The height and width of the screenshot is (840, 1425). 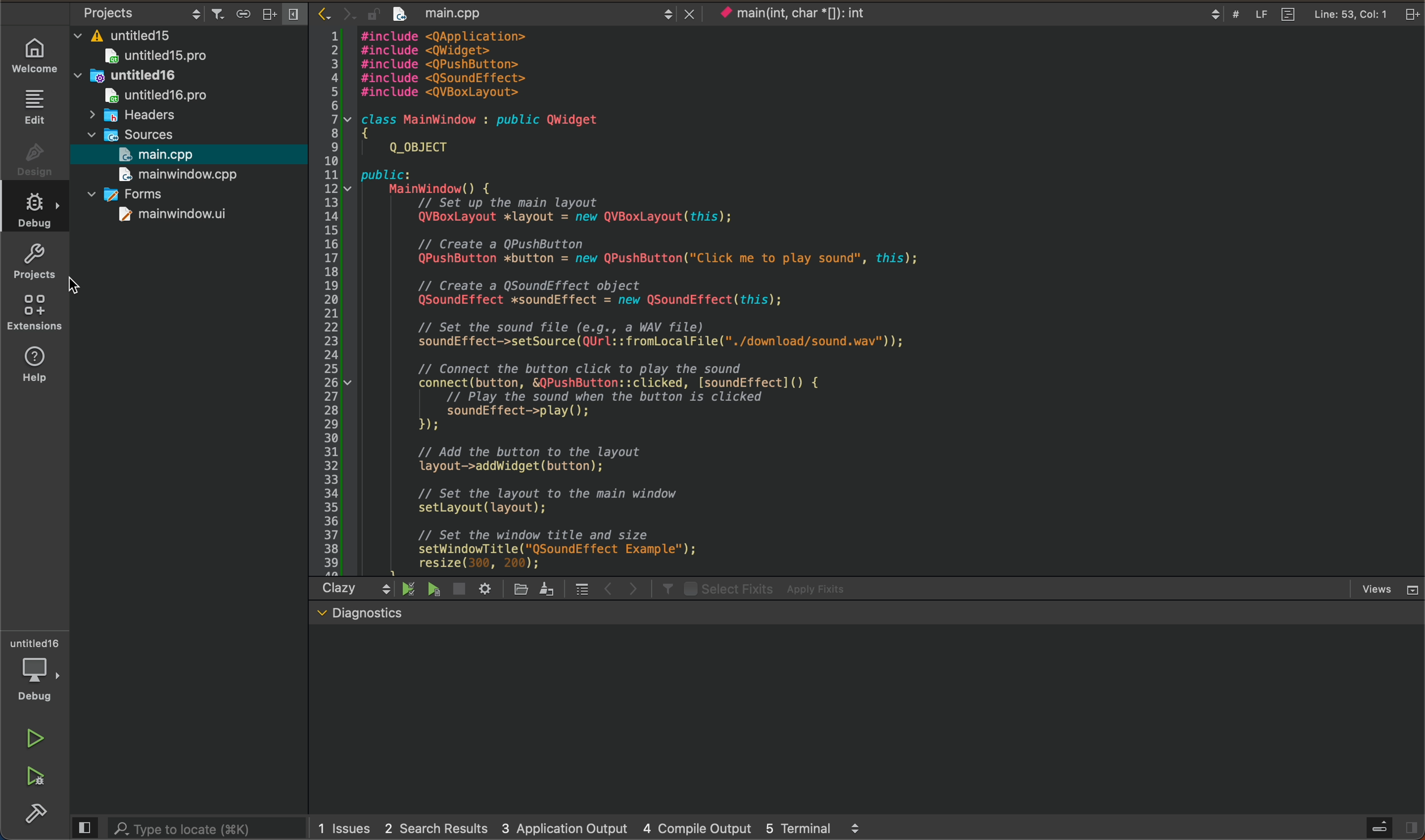 I want to click on , so click(x=179, y=216).